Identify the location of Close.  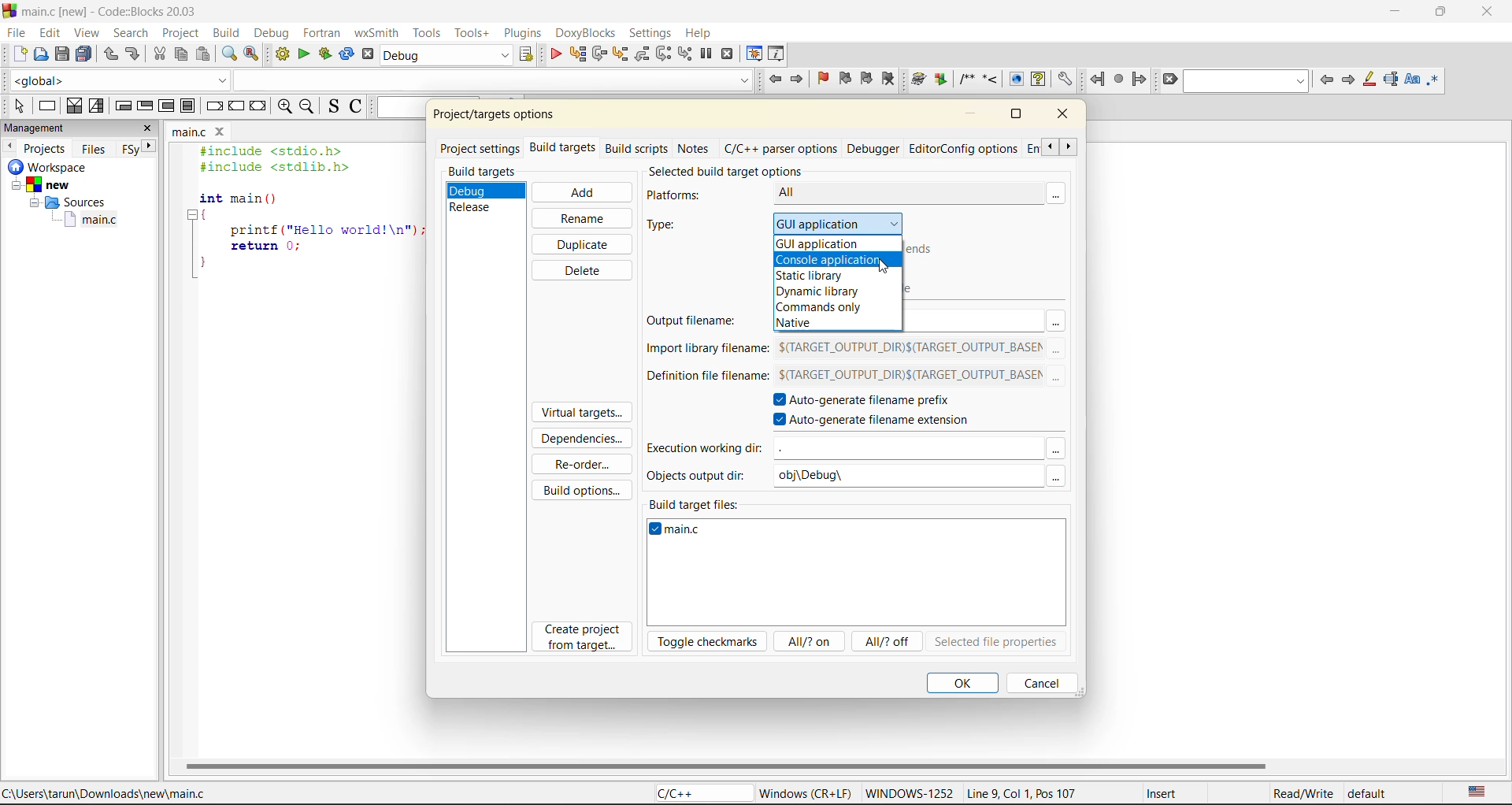
(223, 132).